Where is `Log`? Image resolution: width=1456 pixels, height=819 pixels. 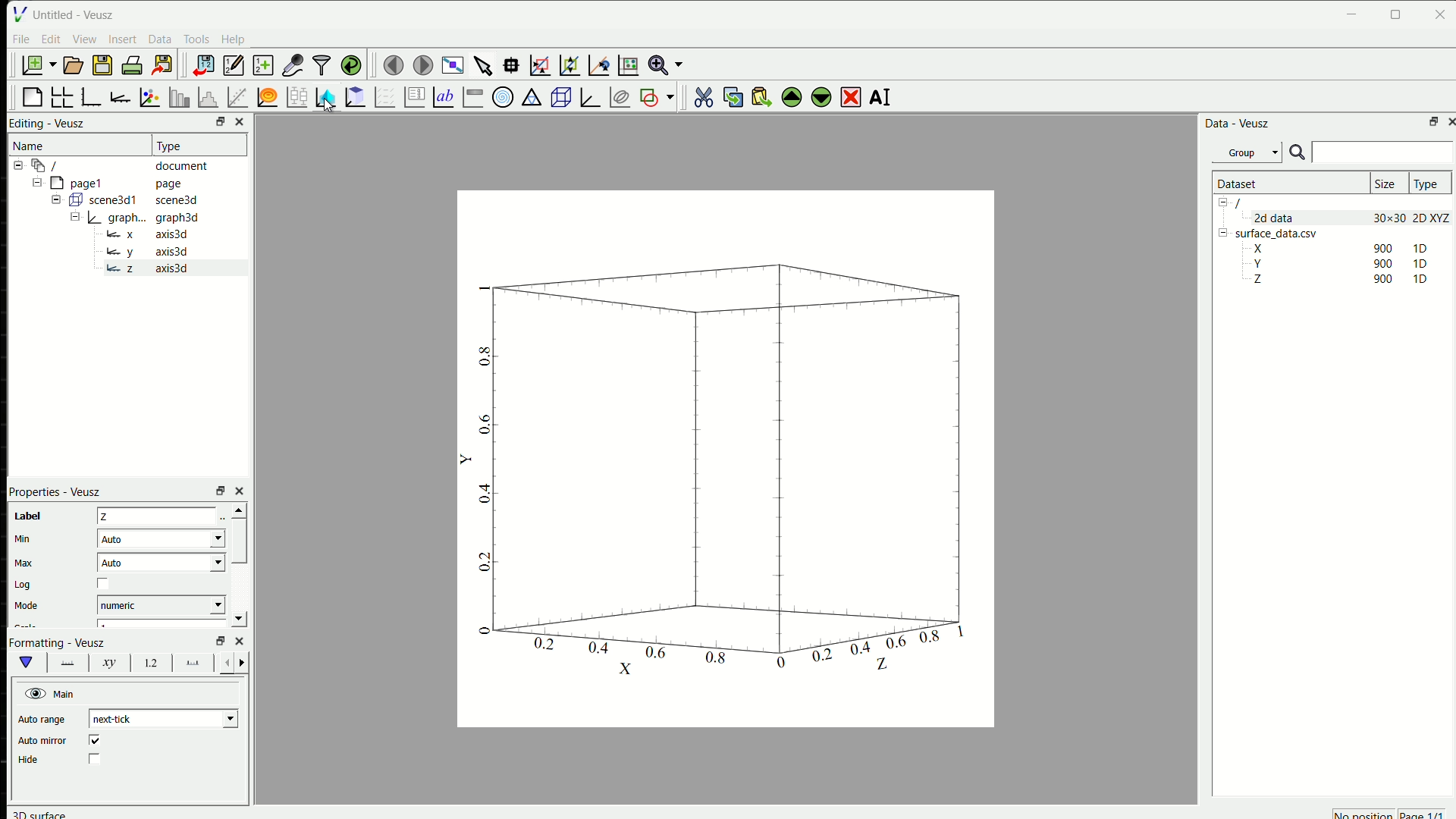 Log is located at coordinates (23, 585).